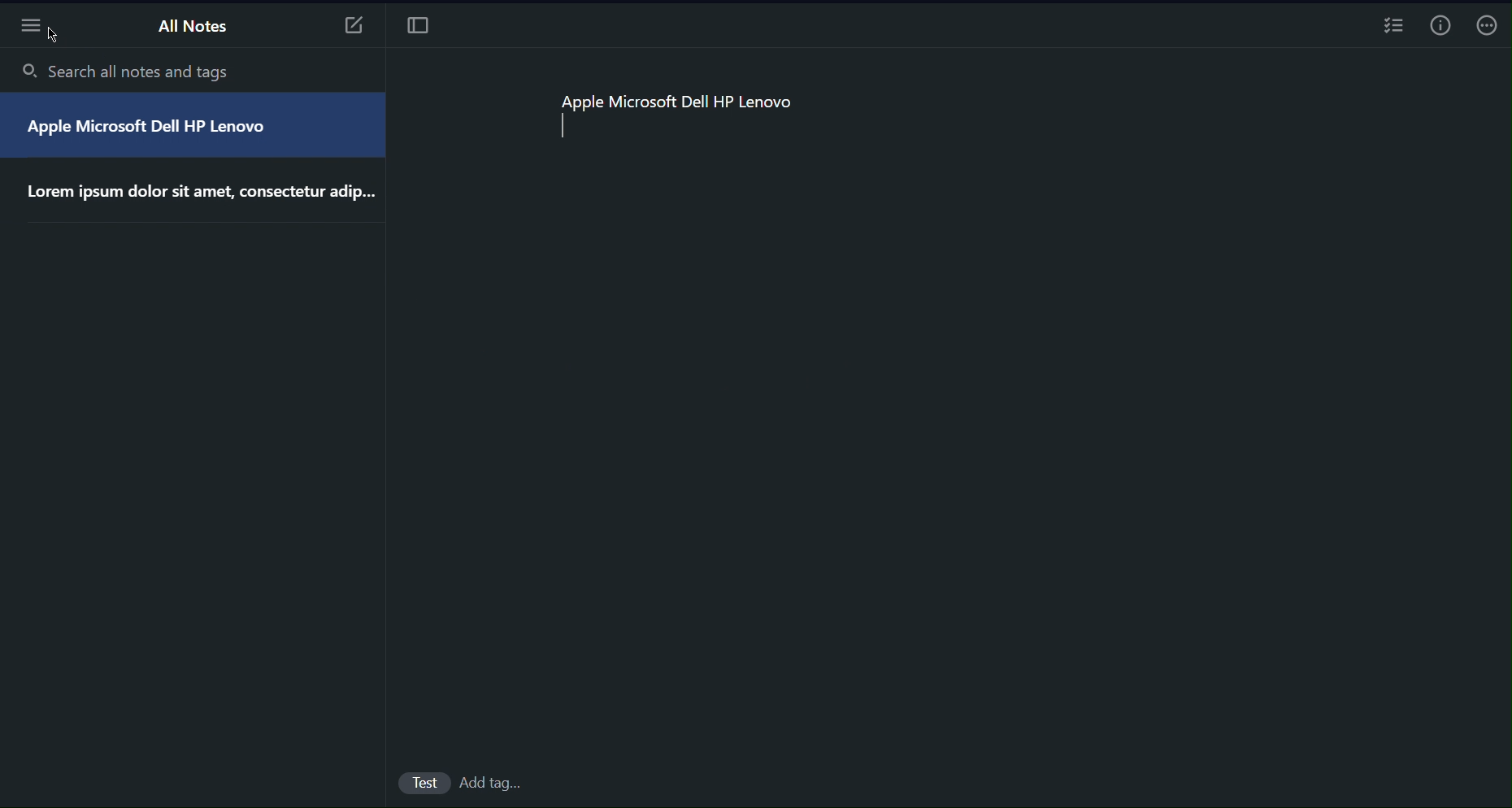 The image size is (1512, 808). Describe the element at coordinates (1488, 25) in the screenshot. I see `More` at that location.